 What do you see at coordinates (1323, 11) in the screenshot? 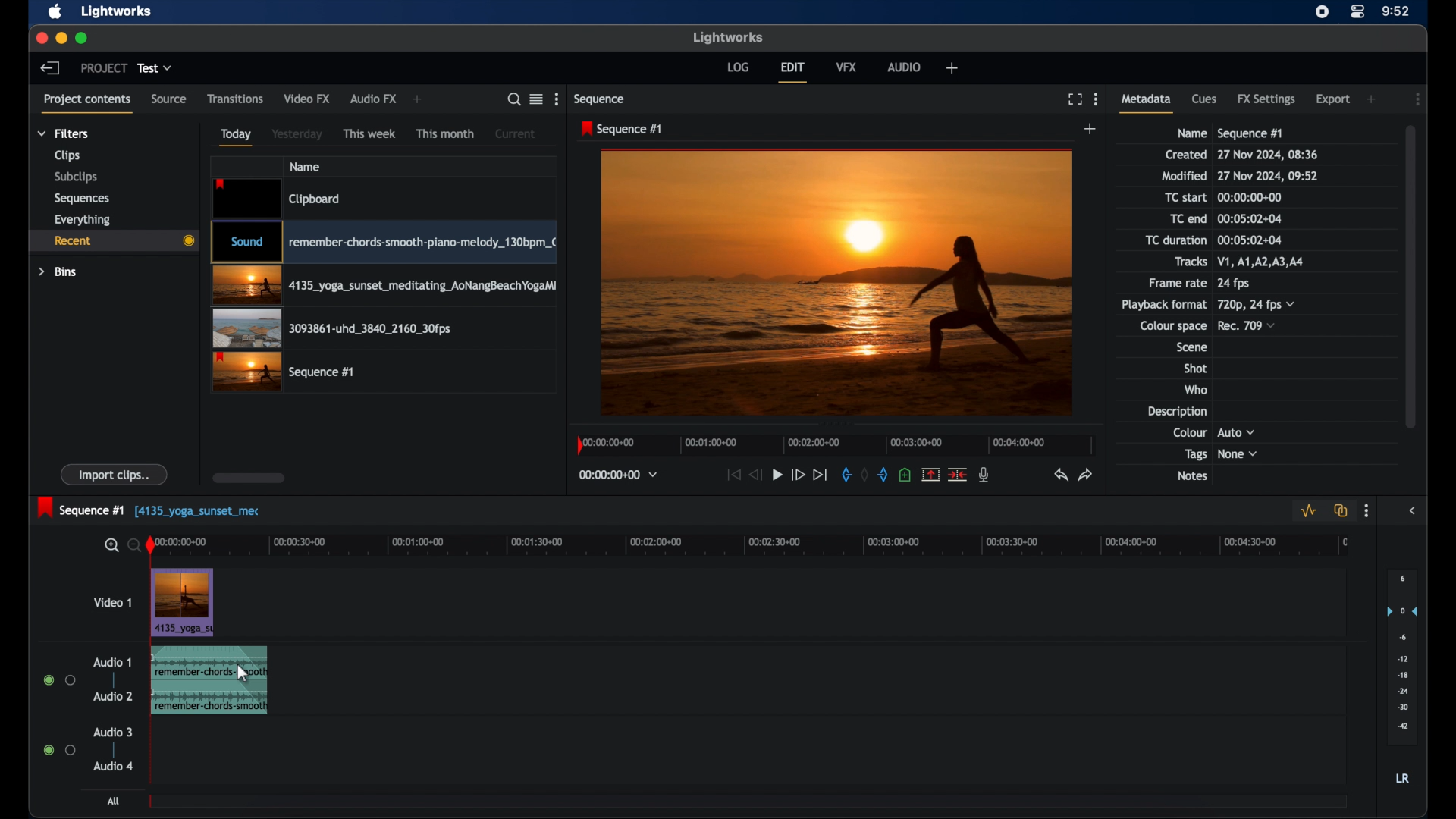
I see `screen recorder icon` at bounding box center [1323, 11].